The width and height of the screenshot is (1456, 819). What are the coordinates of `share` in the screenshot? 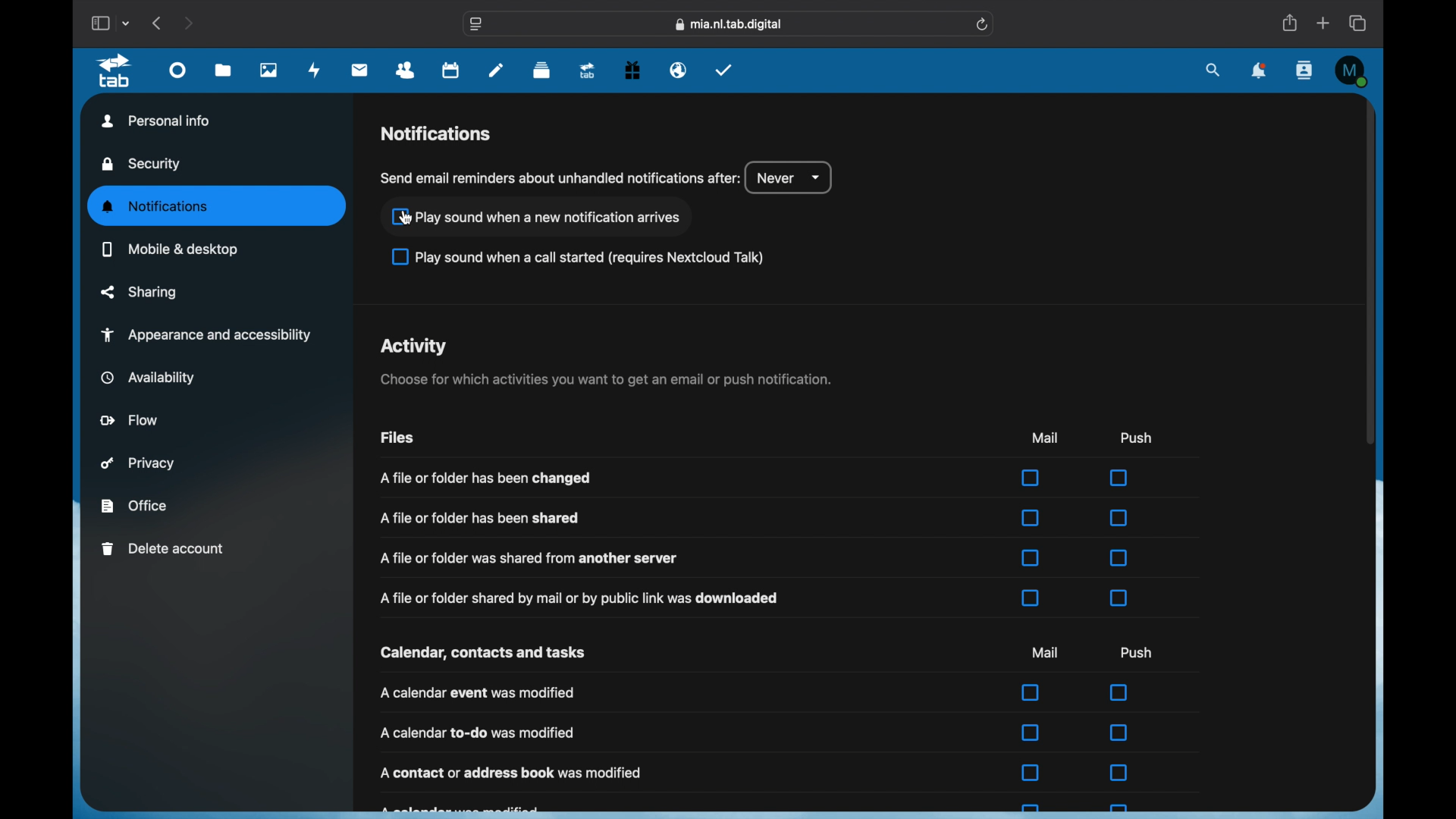 It's located at (1289, 24).